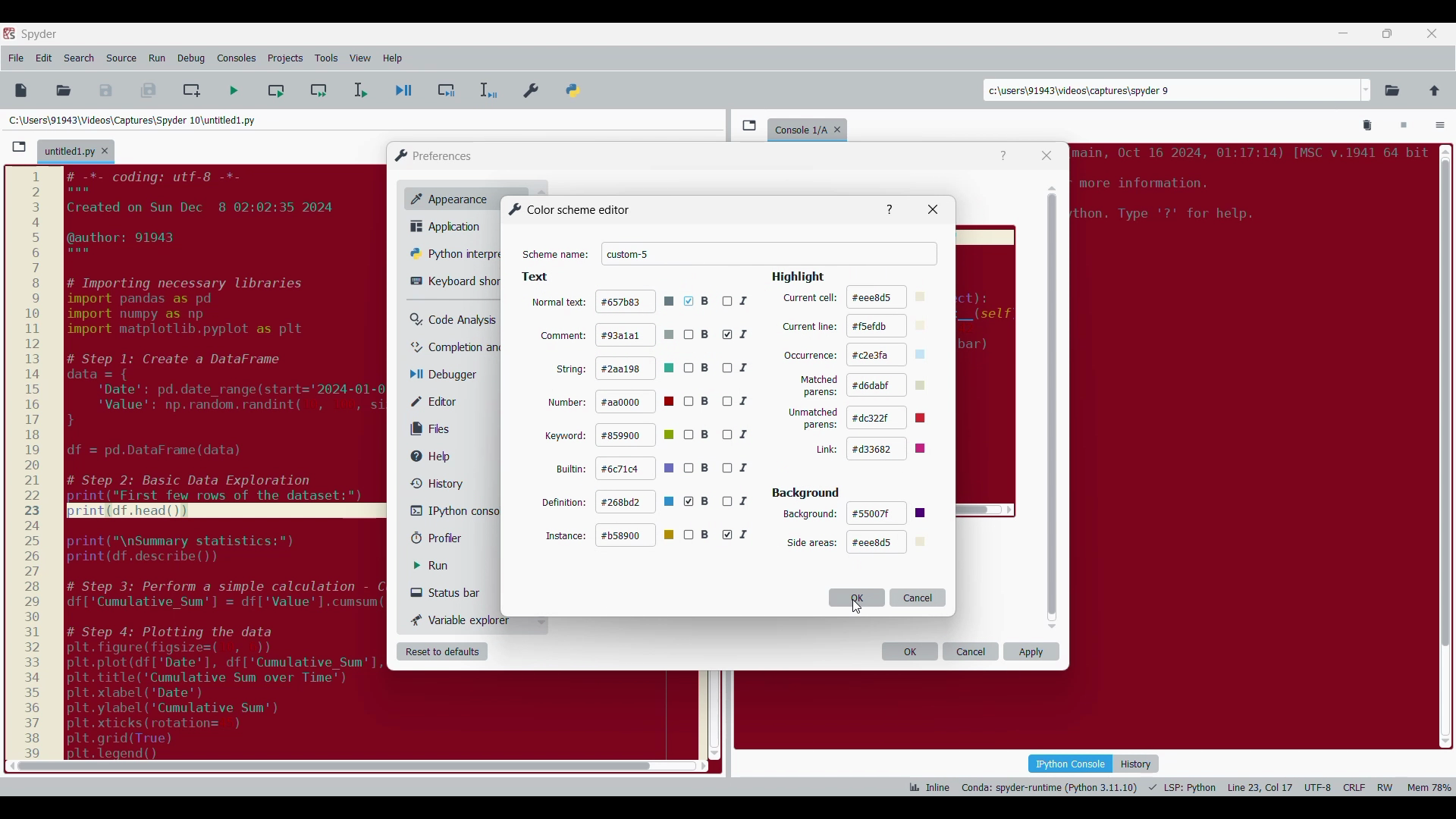 Image resolution: width=1456 pixels, height=819 pixels. What do you see at coordinates (739, 501) in the screenshot?
I see `I` at bounding box center [739, 501].